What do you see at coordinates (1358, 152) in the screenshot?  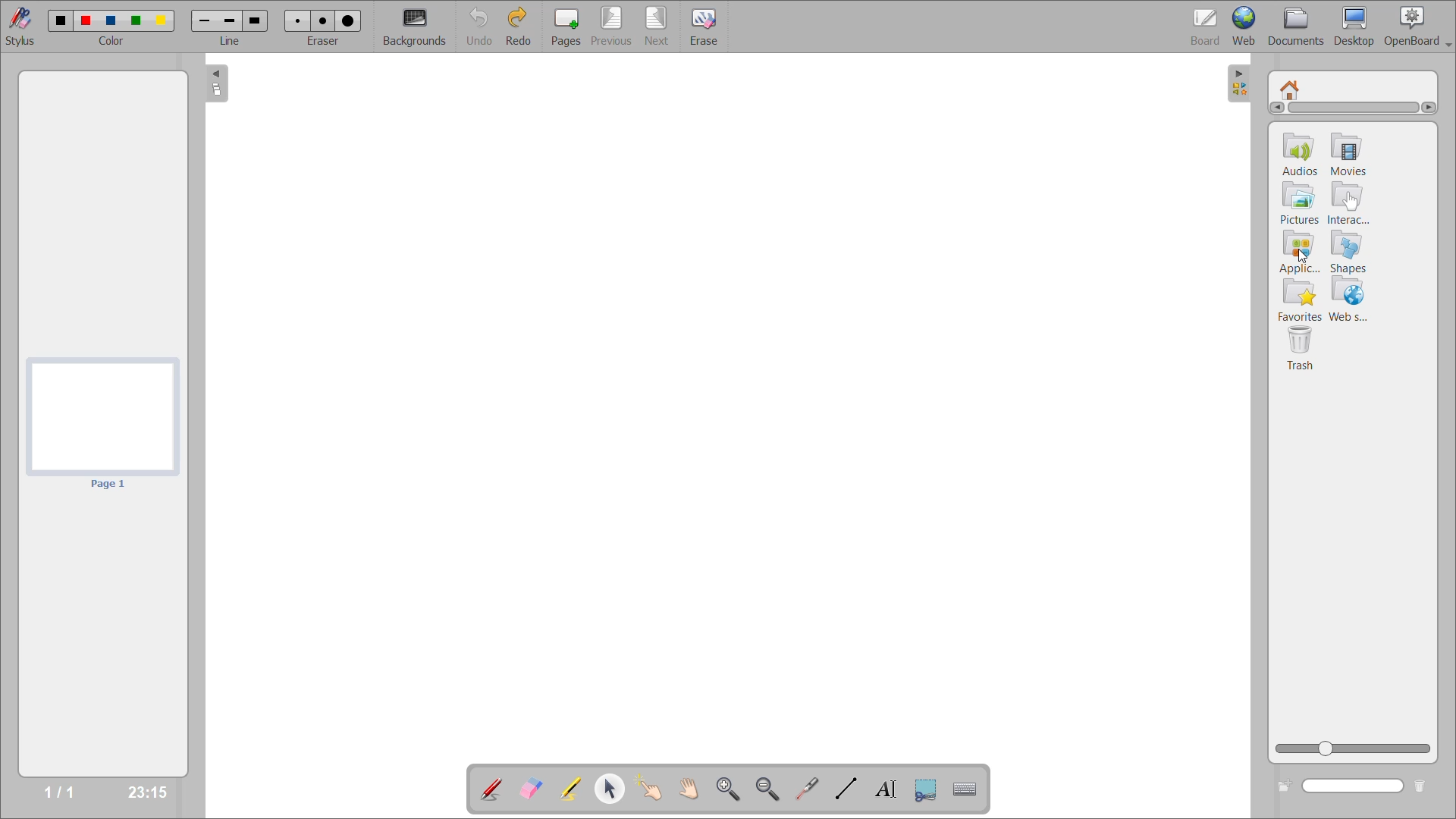 I see `movies` at bounding box center [1358, 152].